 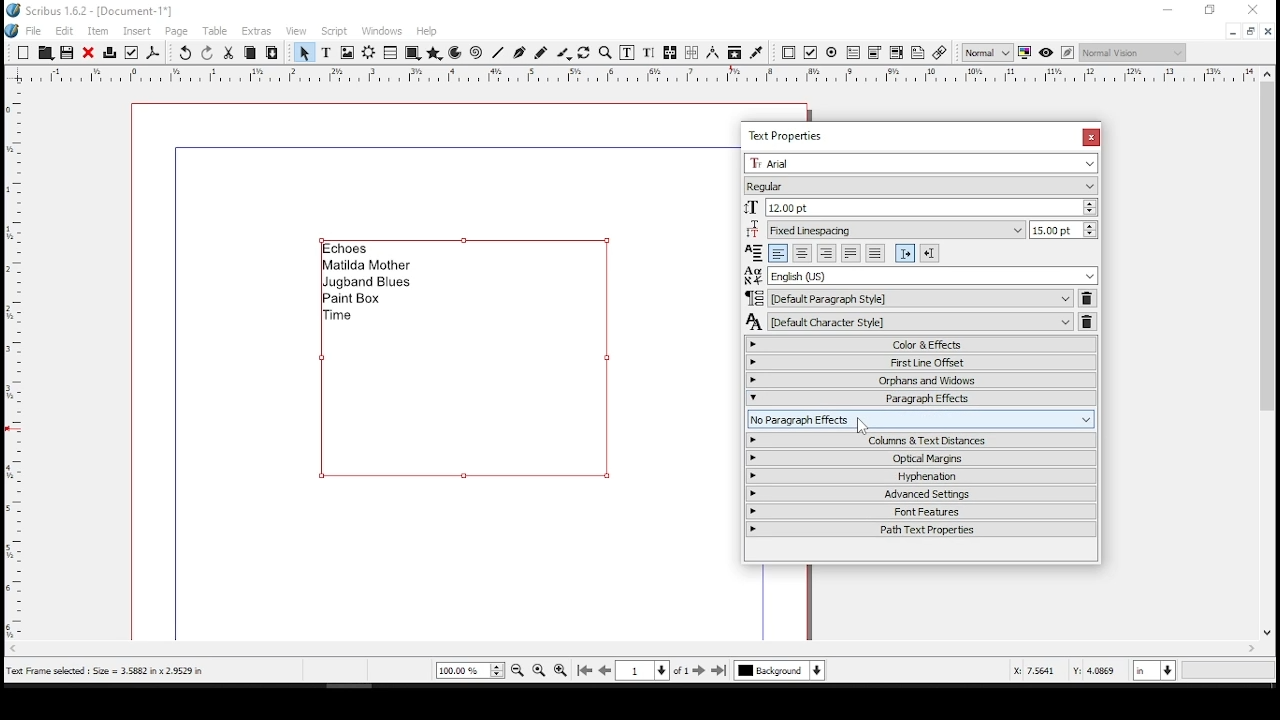 I want to click on logo, so click(x=12, y=32).